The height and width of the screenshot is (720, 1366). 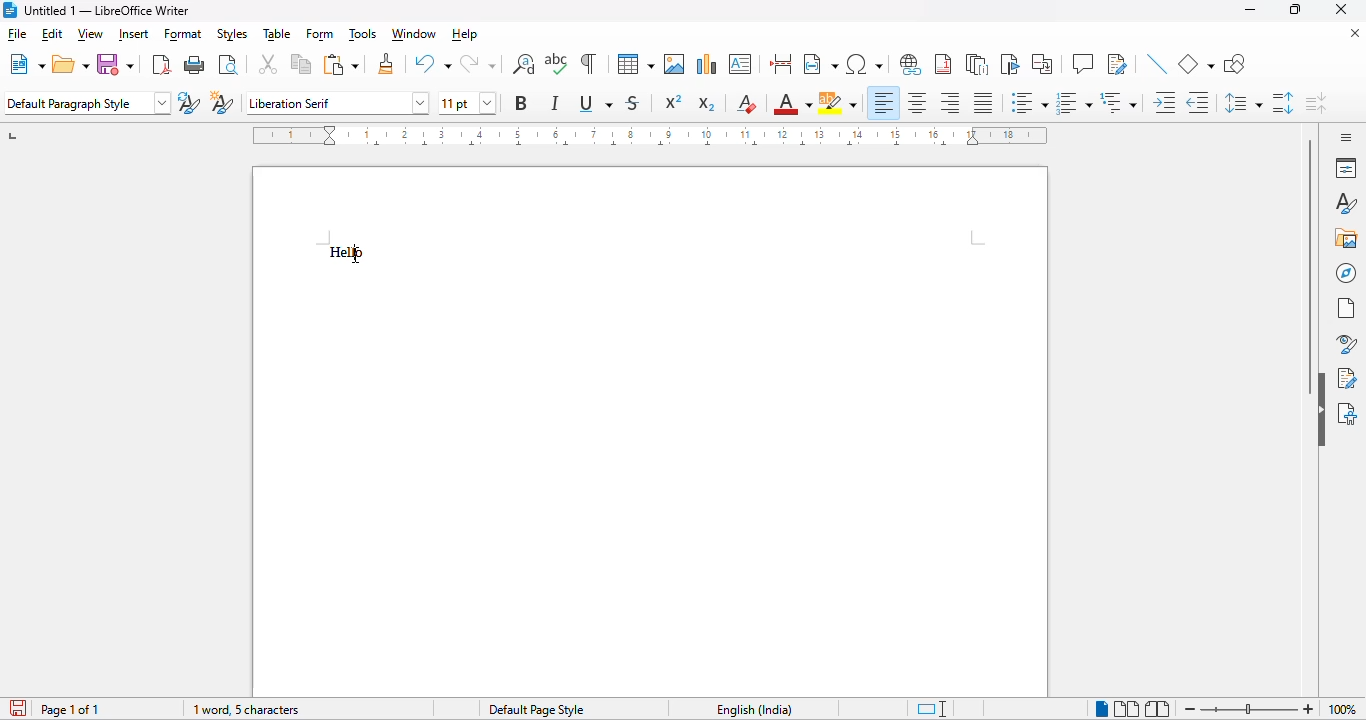 I want to click on toggle print preview, so click(x=230, y=64).